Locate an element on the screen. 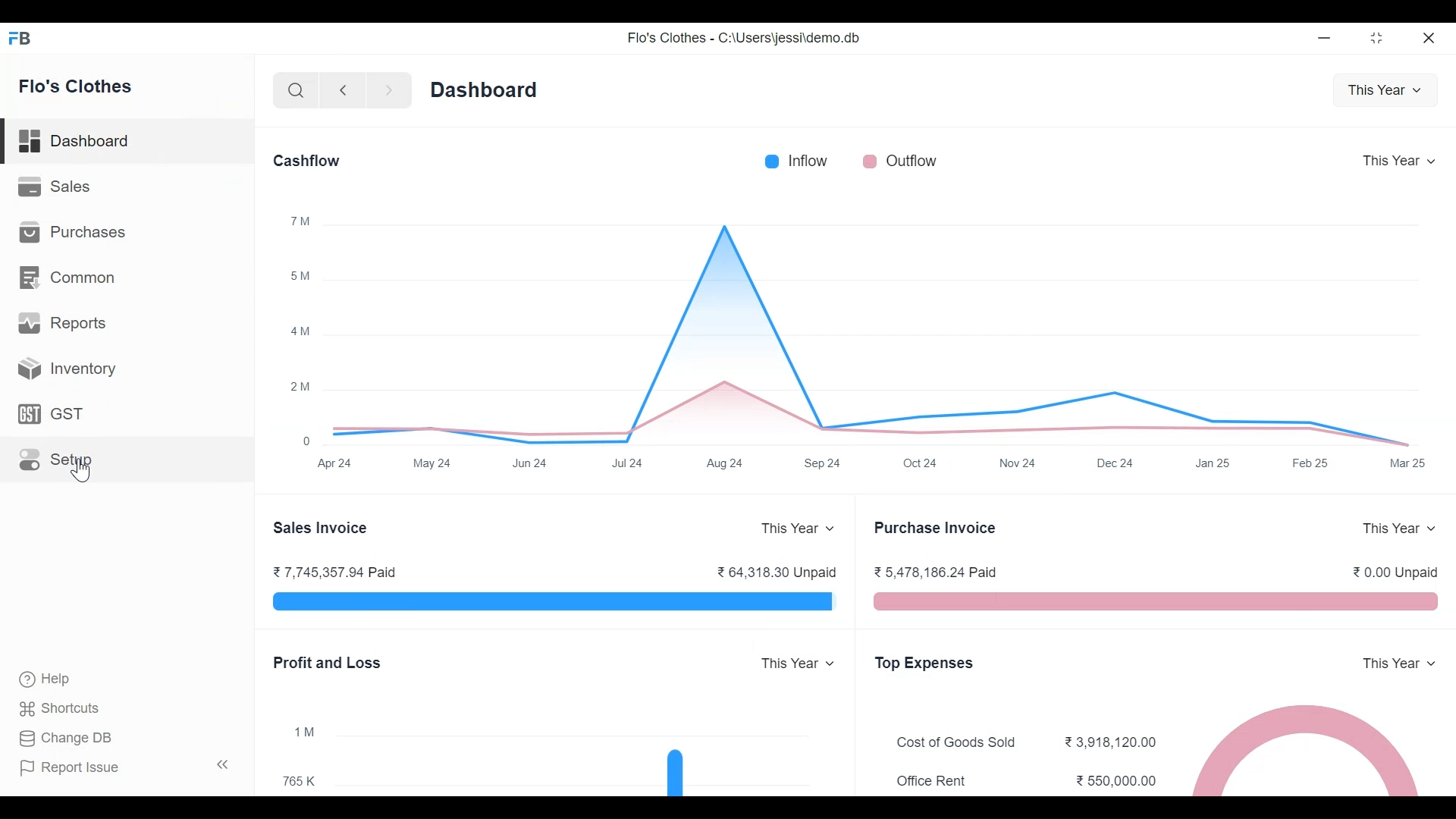  Common is located at coordinates (69, 276).